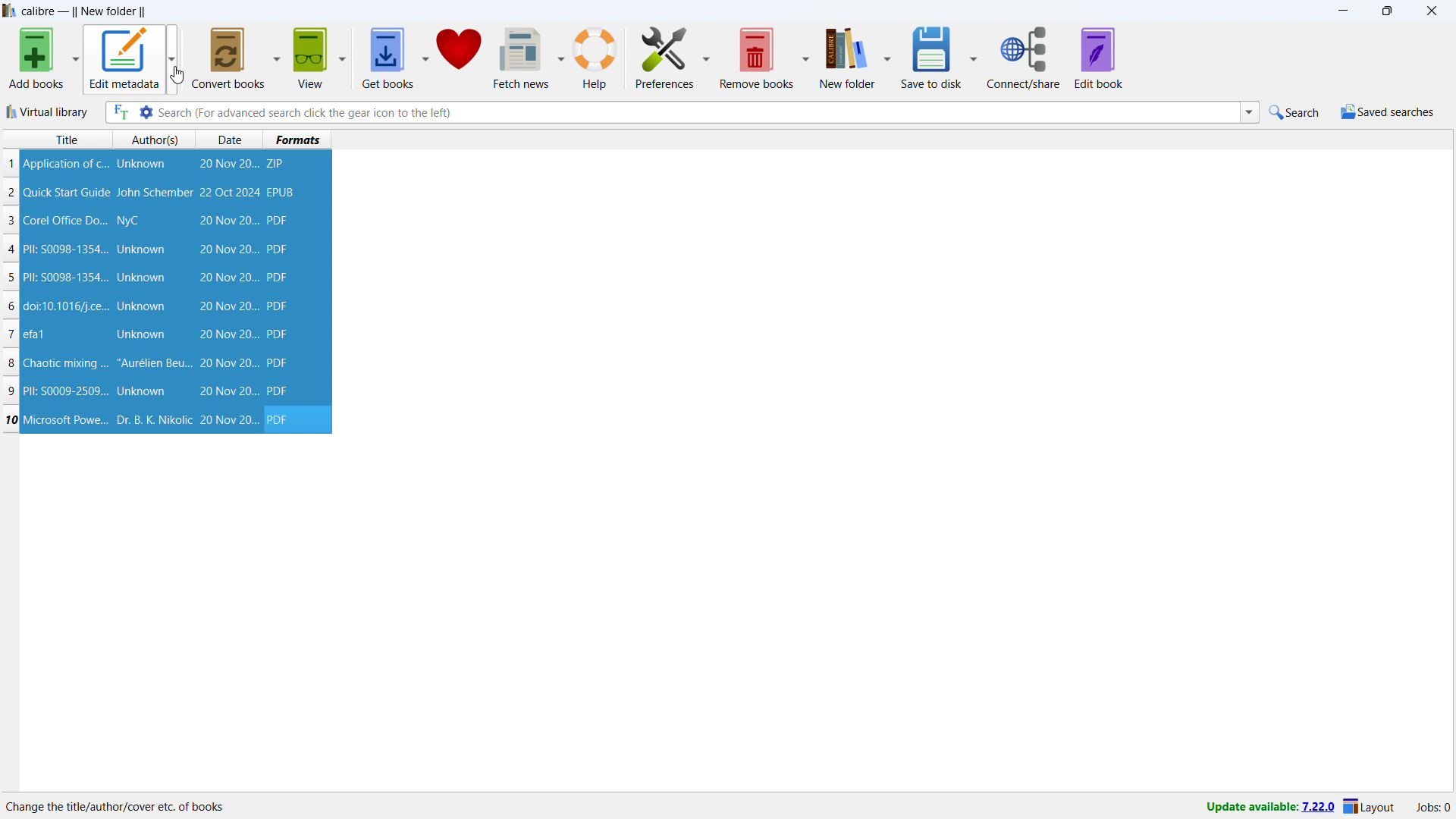 The image size is (1456, 819). I want to click on 5, so click(10, 279).